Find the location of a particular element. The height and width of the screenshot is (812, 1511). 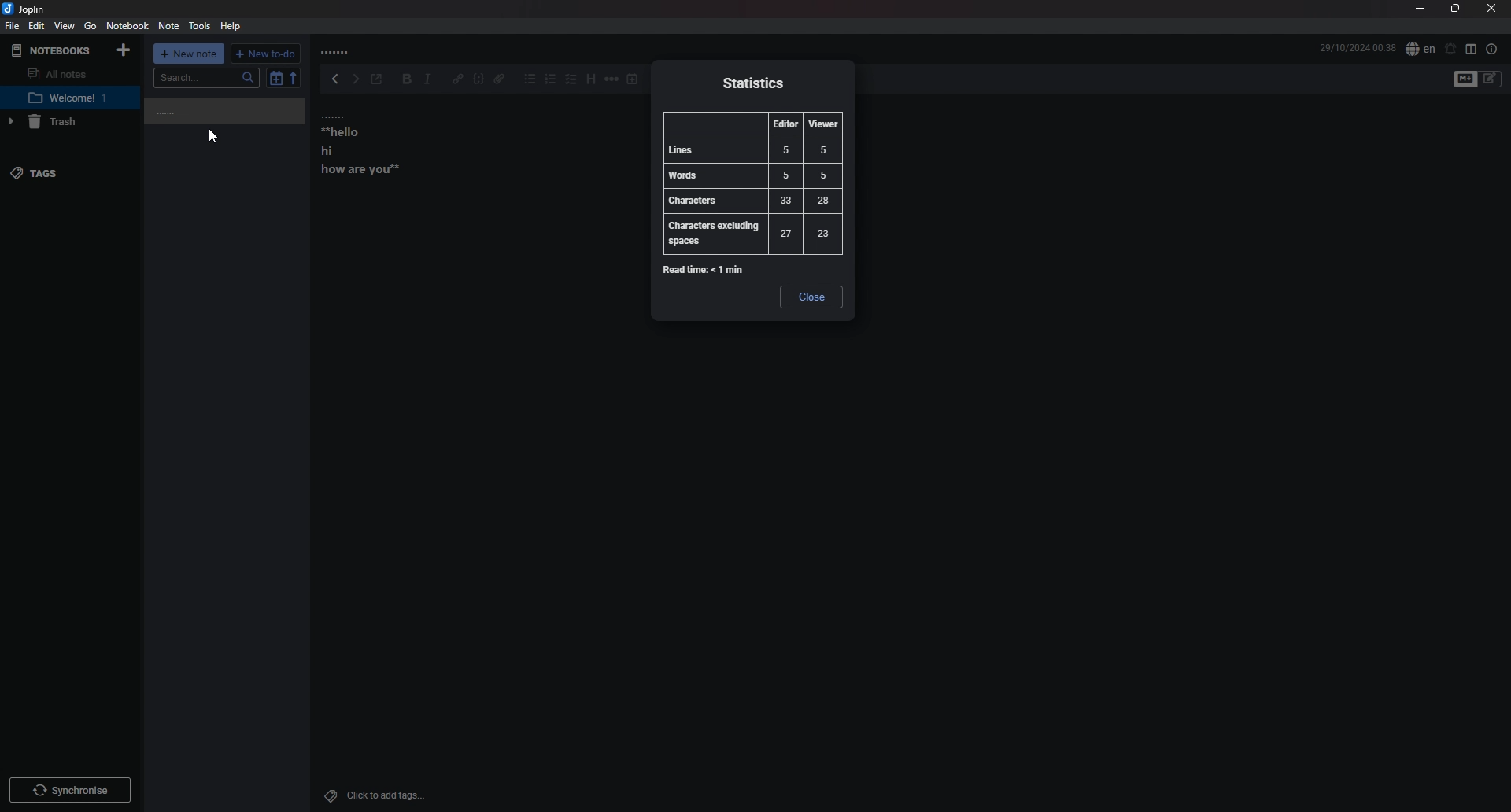

read time is located at coordinates (704, 271).